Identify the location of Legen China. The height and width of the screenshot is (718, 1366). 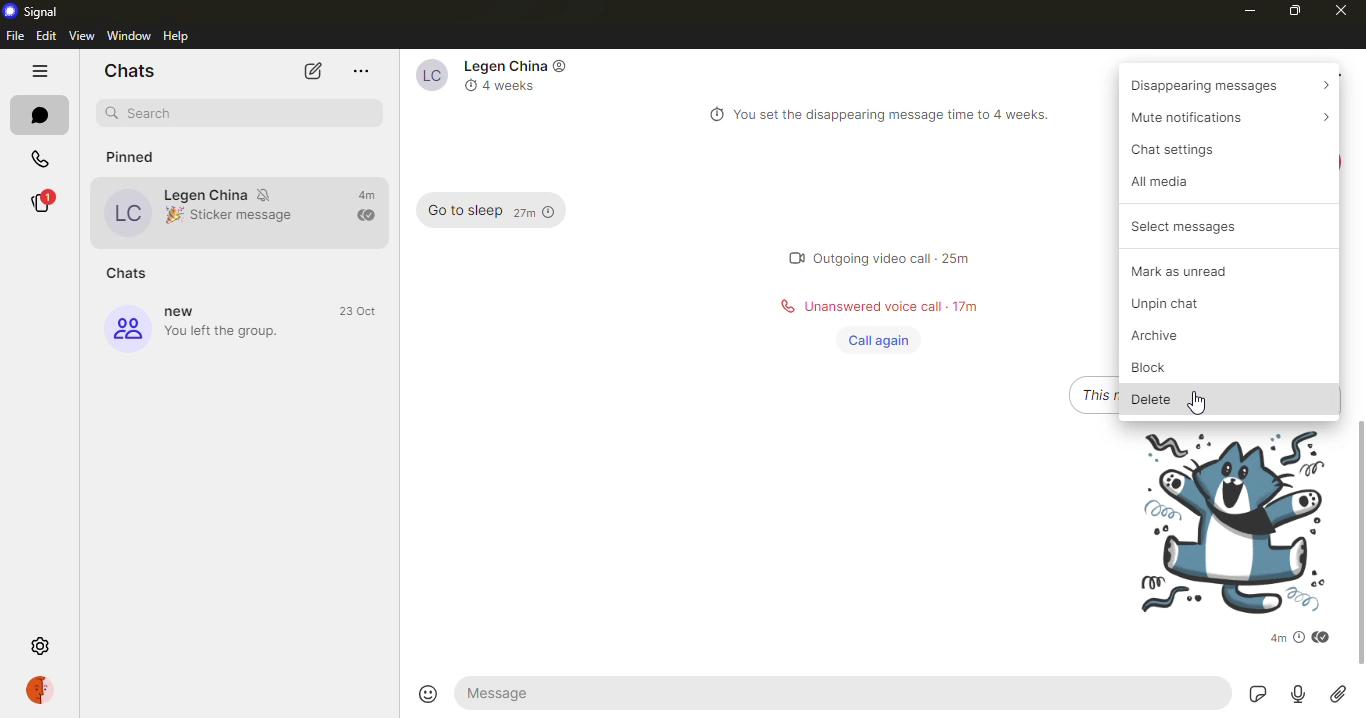
(501, 66).